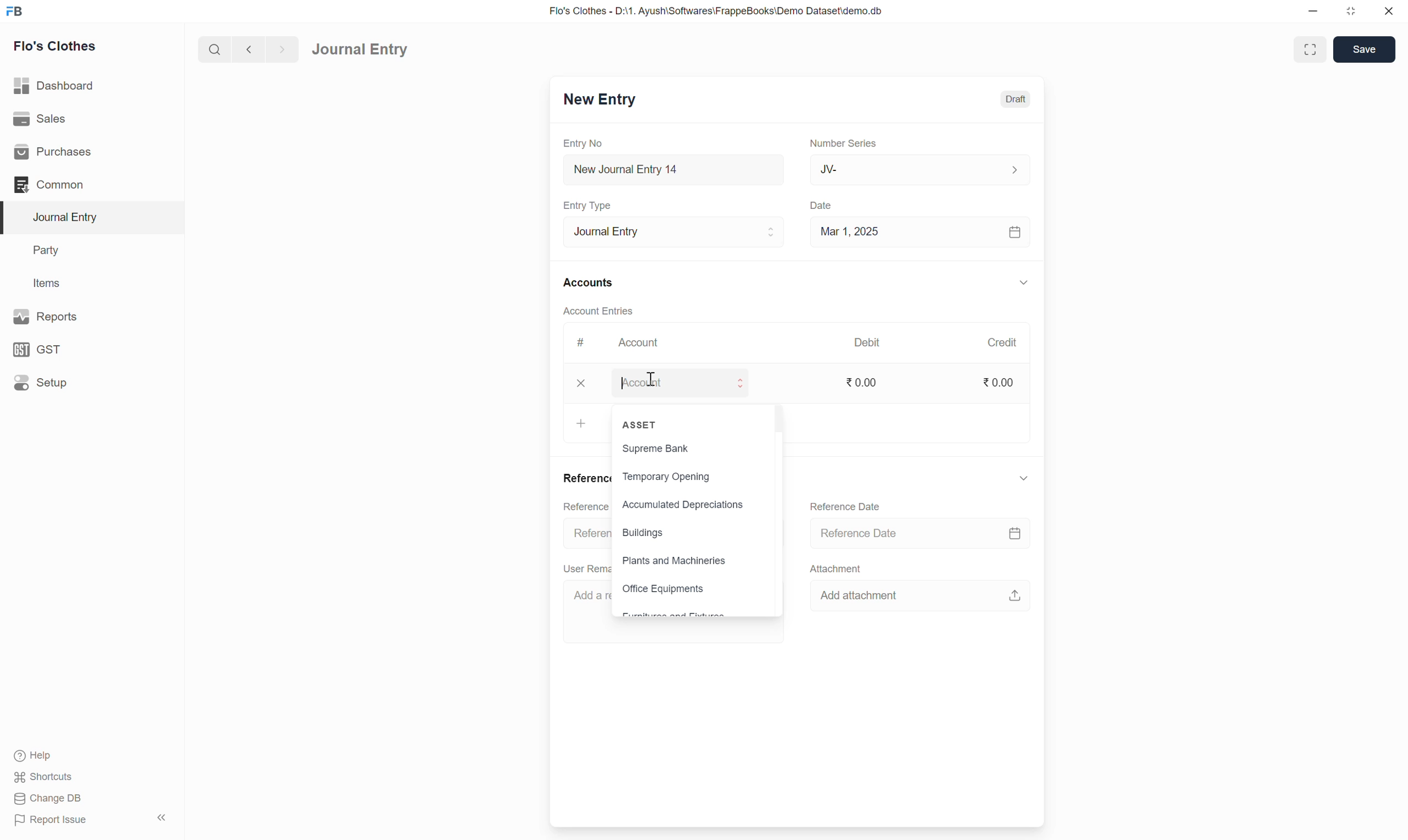  What do you see at coordinates (583, 507) in the screenshot?
I see `Reference` at bounding box center [583, 507].